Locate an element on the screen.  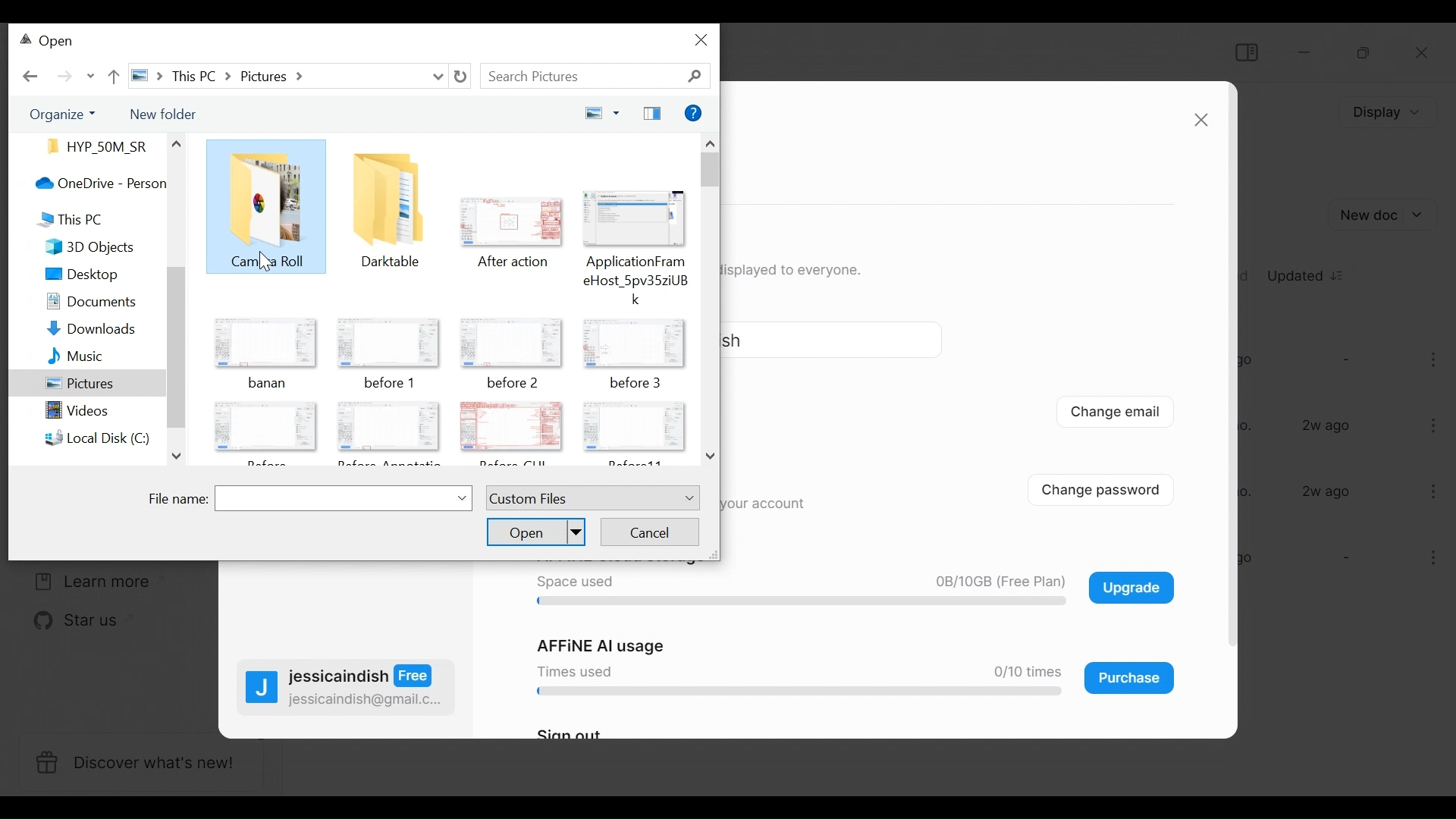
banan is located at coordinates (271, 384).